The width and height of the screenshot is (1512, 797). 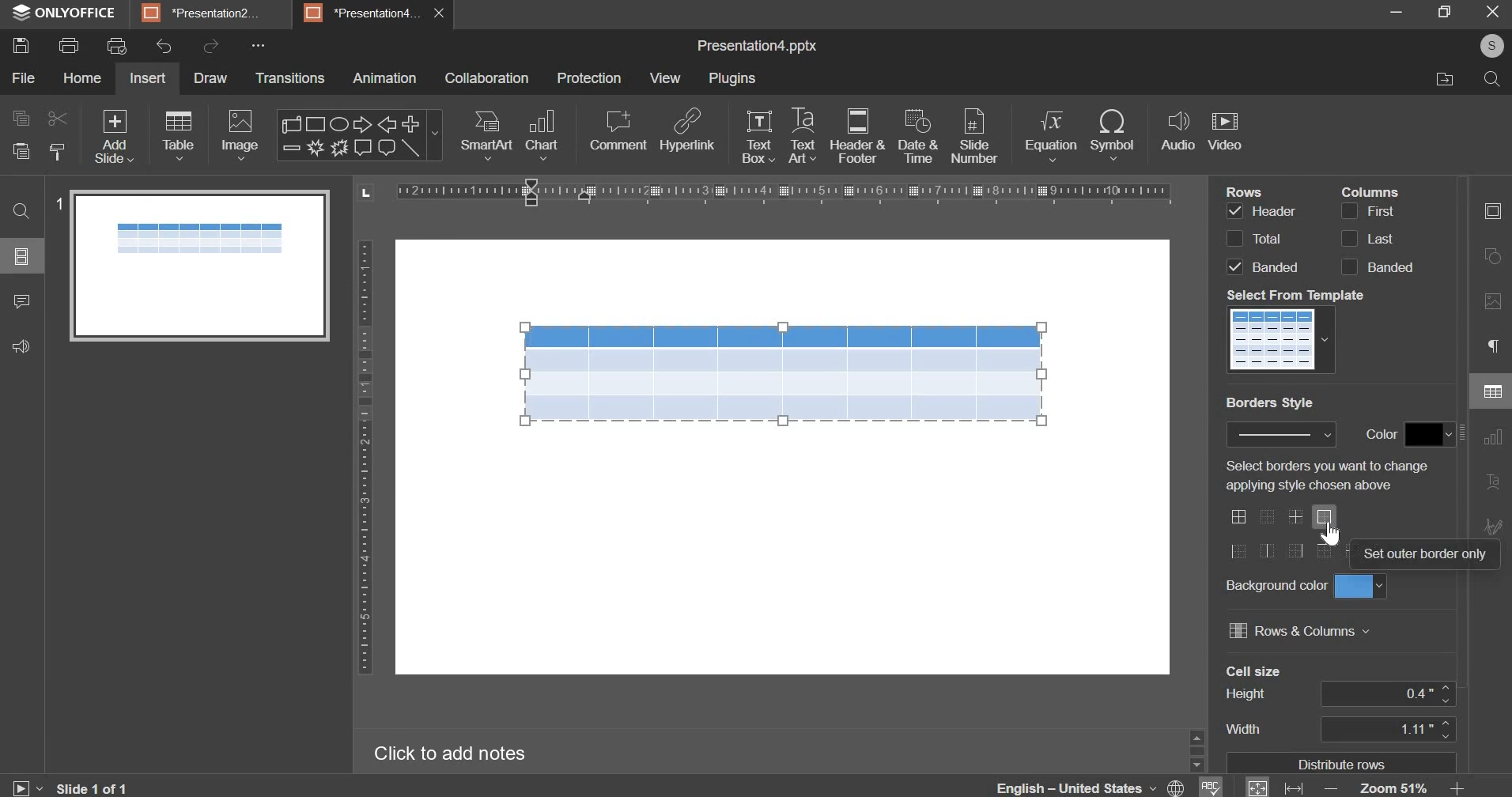 I want to click on vertical scale, so click(x=365, y=459).